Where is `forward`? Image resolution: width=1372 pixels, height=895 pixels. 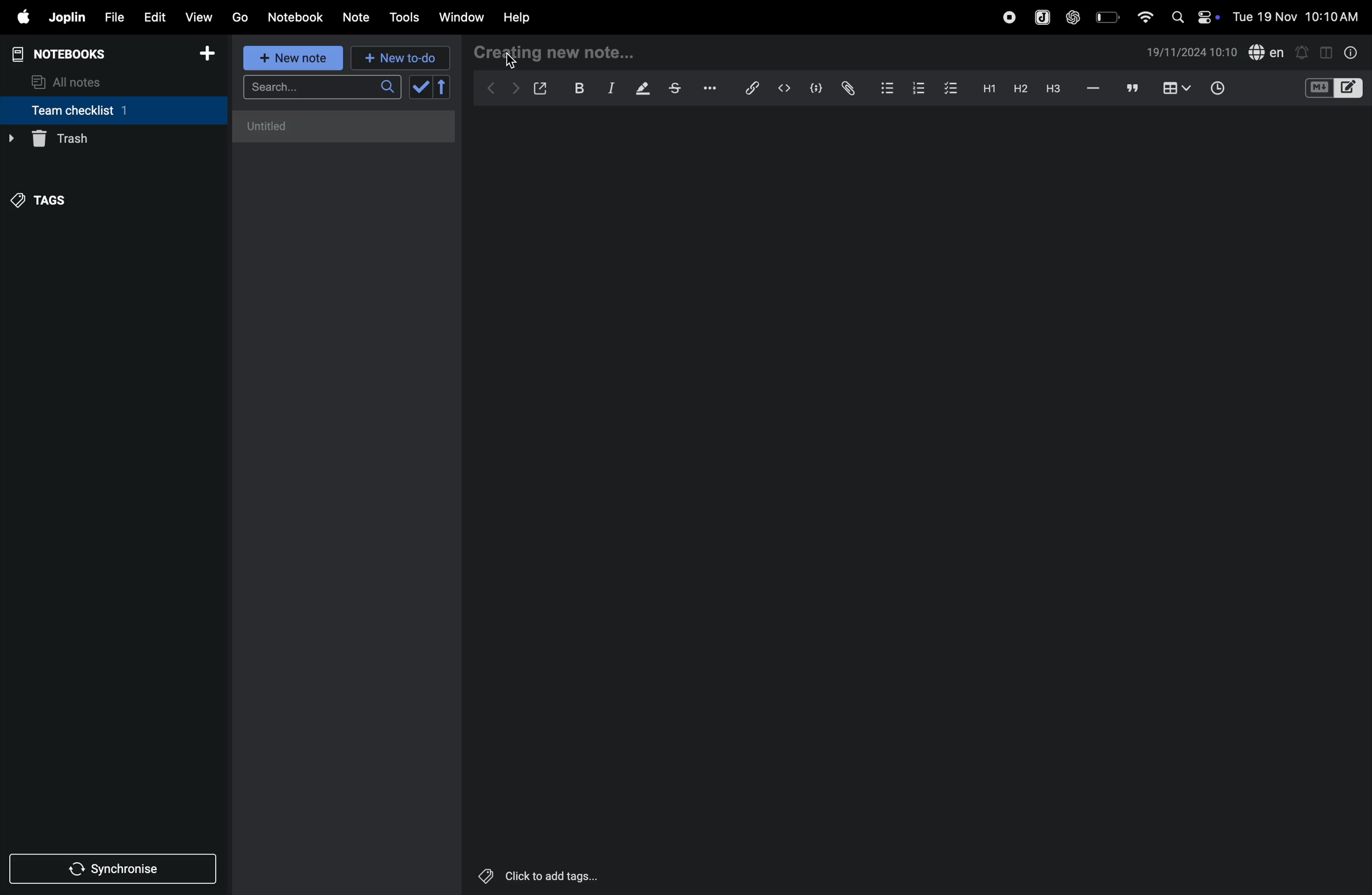
forward is located at coordinates (512, 88).